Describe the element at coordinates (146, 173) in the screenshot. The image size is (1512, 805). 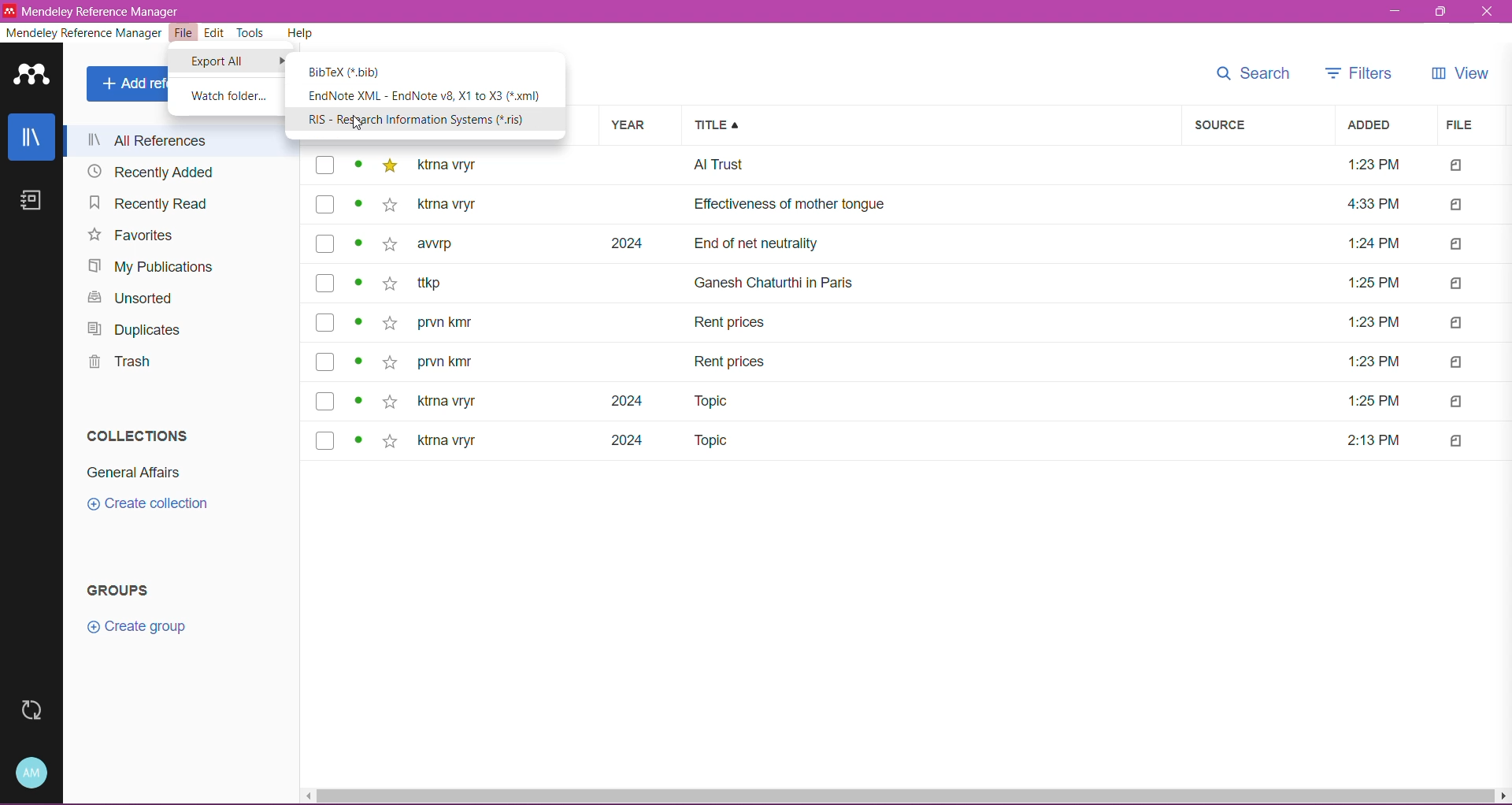
I see `Recently Added` at that location.